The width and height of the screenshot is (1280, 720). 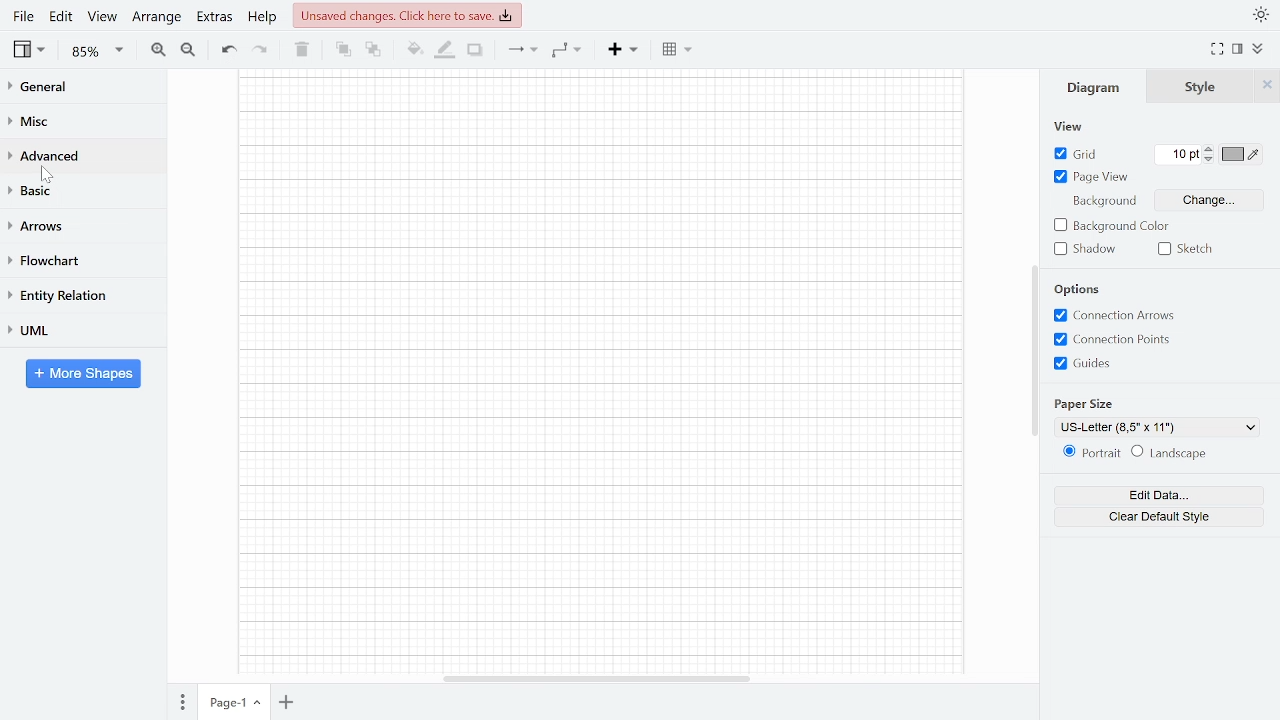 I want to click on Options, so click(x=1078, y=291).